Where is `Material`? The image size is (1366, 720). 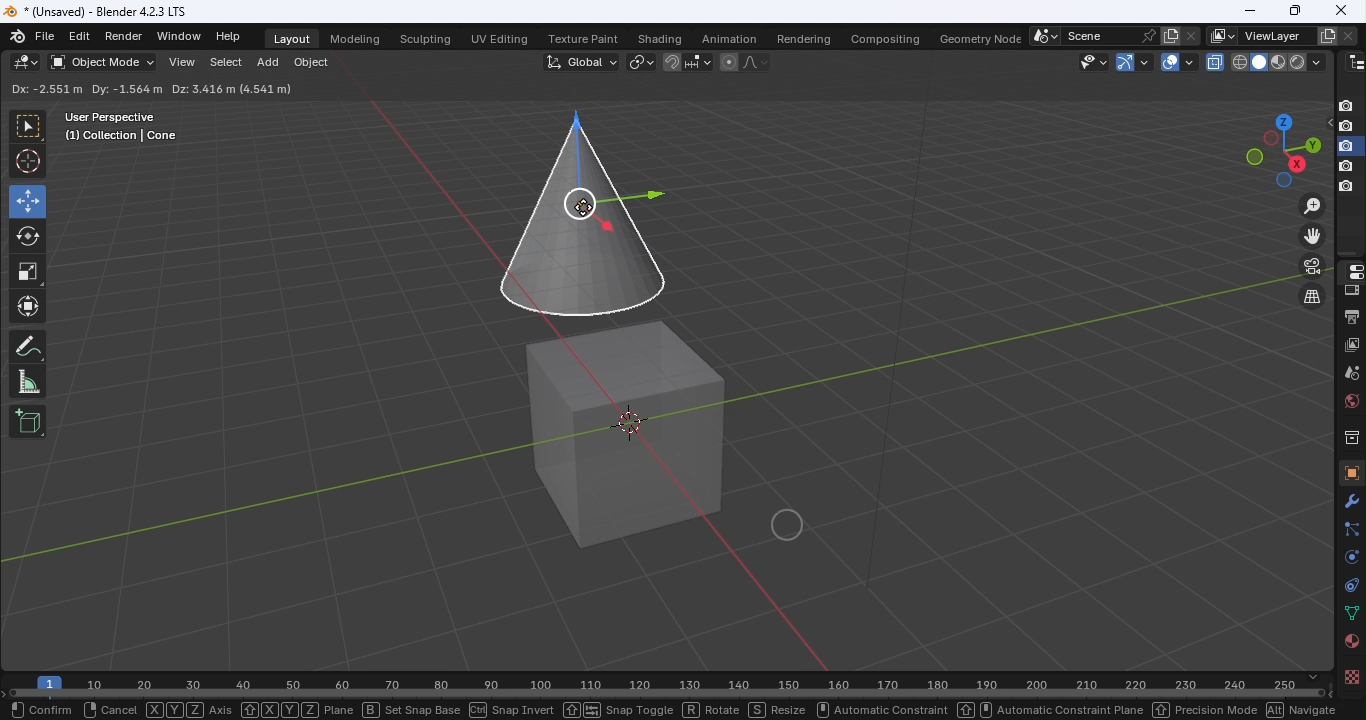
Material is located at coordinates (1350, 642).